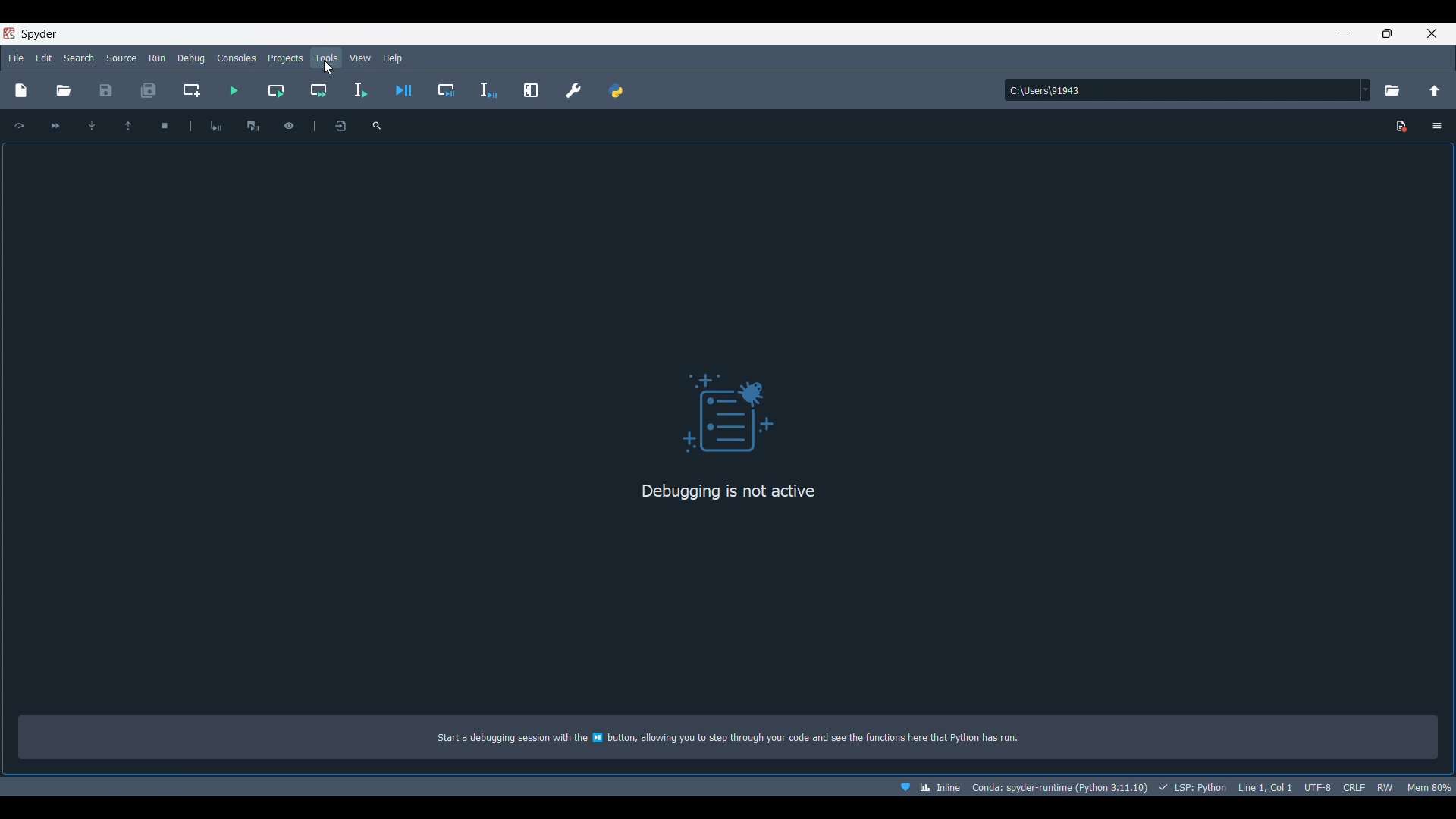 The width and height of the screenshot is (1456, 819). Describe the element at coordinates (253, 124) in the screenshot. I see `pause/play` at that location.